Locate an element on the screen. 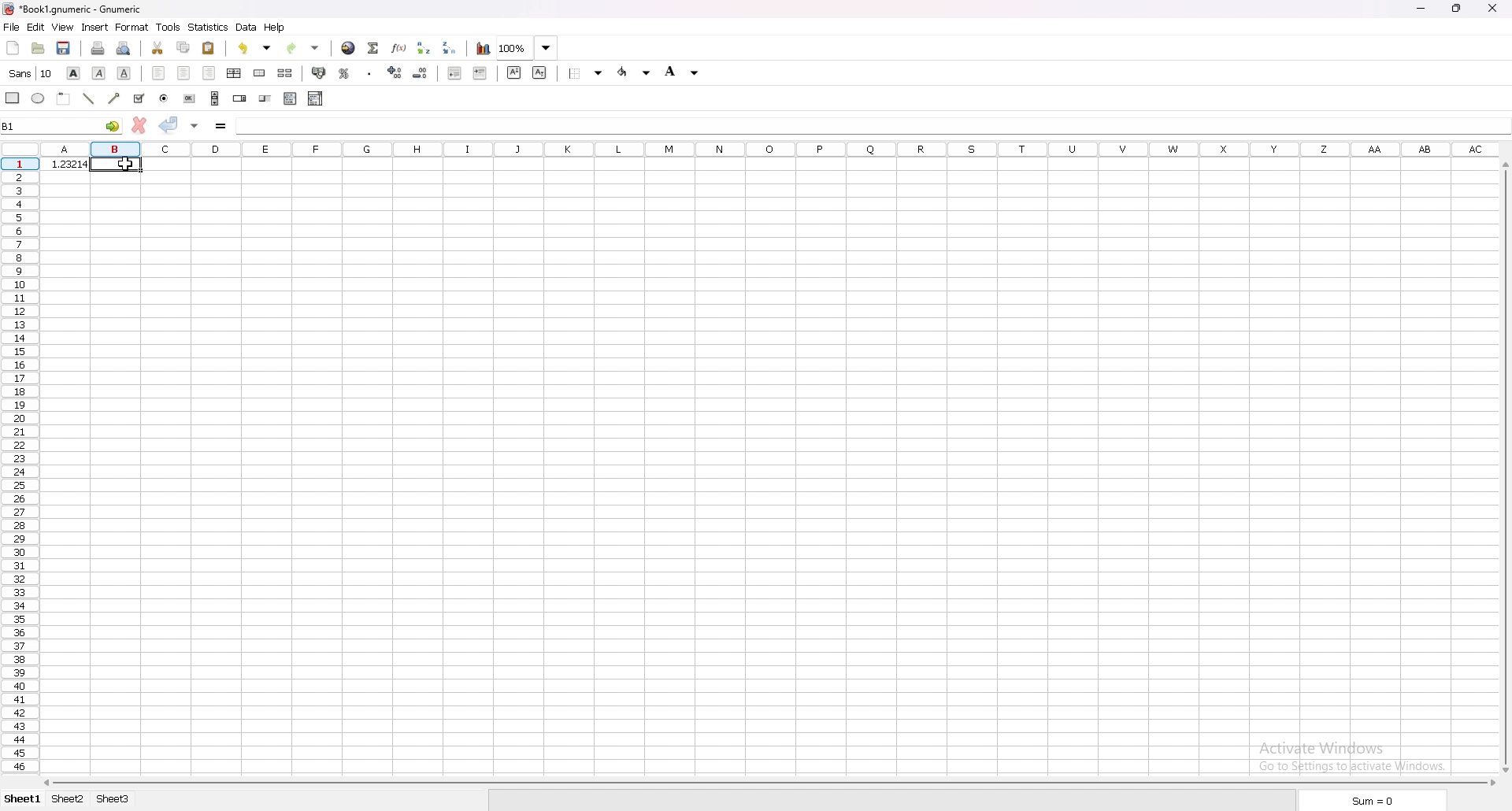  left align is located at coordinates (158, 72).